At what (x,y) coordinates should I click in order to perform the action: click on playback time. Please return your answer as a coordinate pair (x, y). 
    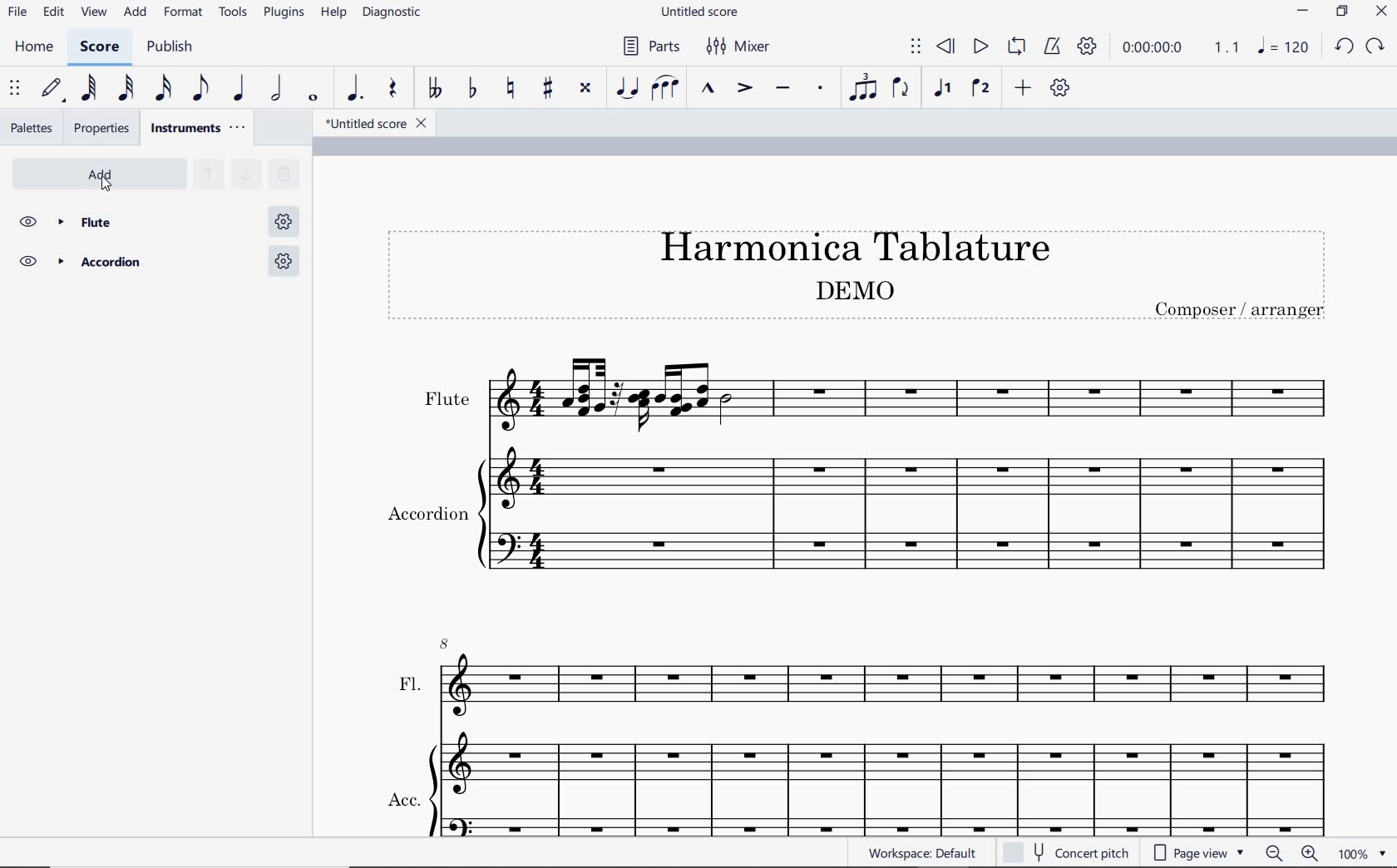
    Looking at the image, I should click on (1156, 50).